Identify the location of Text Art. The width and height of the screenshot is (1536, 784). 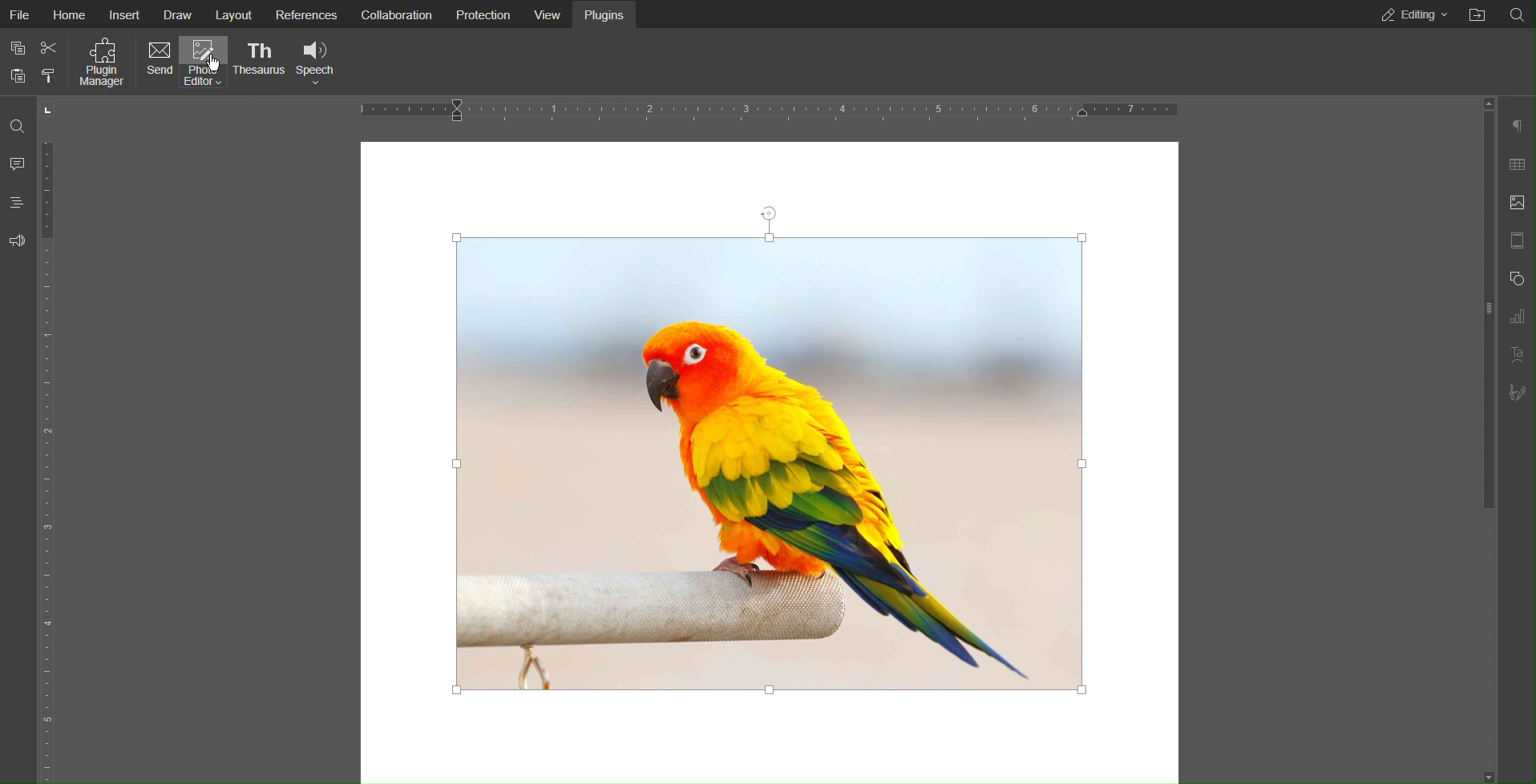
(1515, 355).